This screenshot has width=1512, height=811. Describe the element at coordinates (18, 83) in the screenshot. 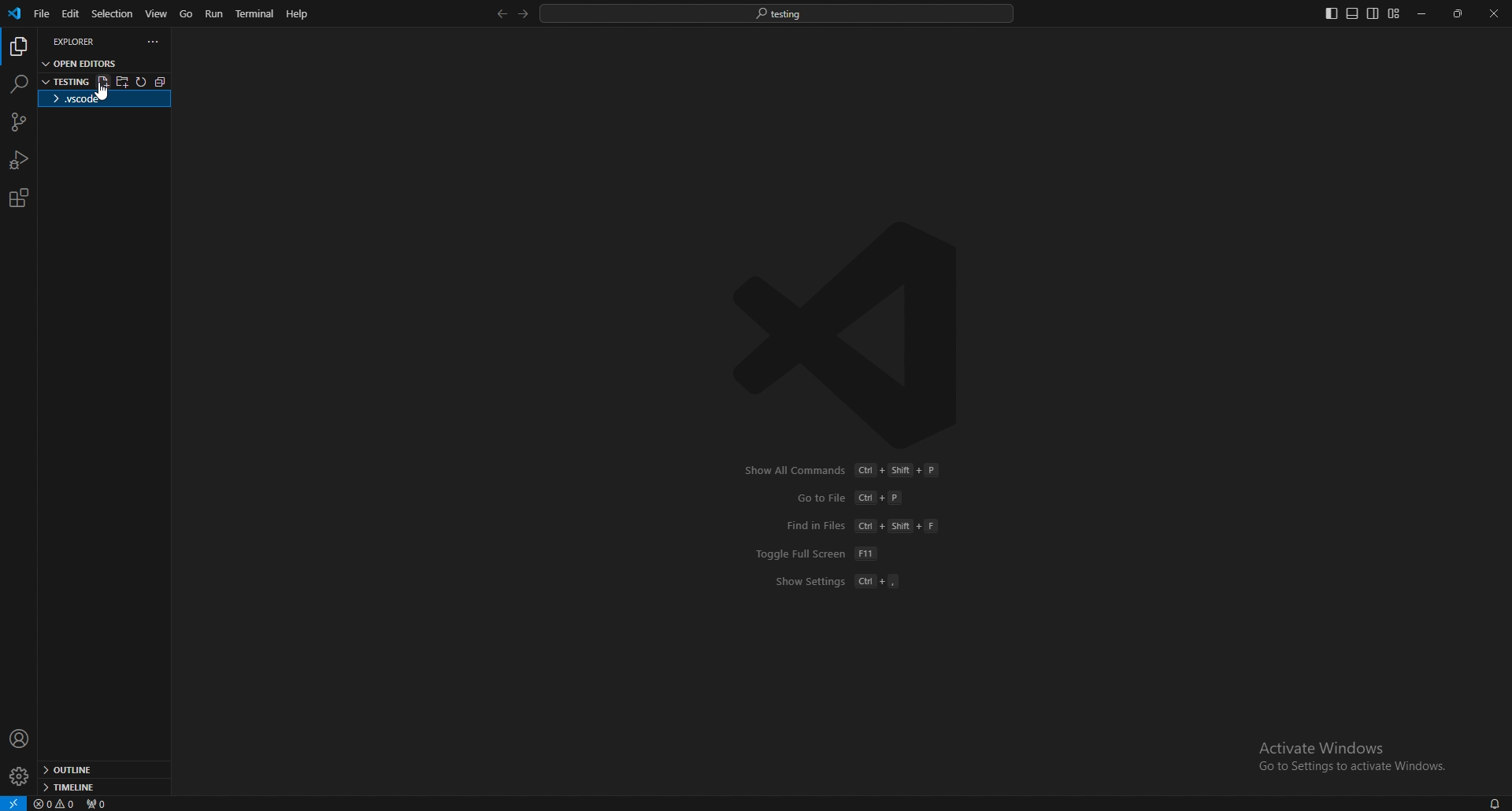

I see `search` at that location.